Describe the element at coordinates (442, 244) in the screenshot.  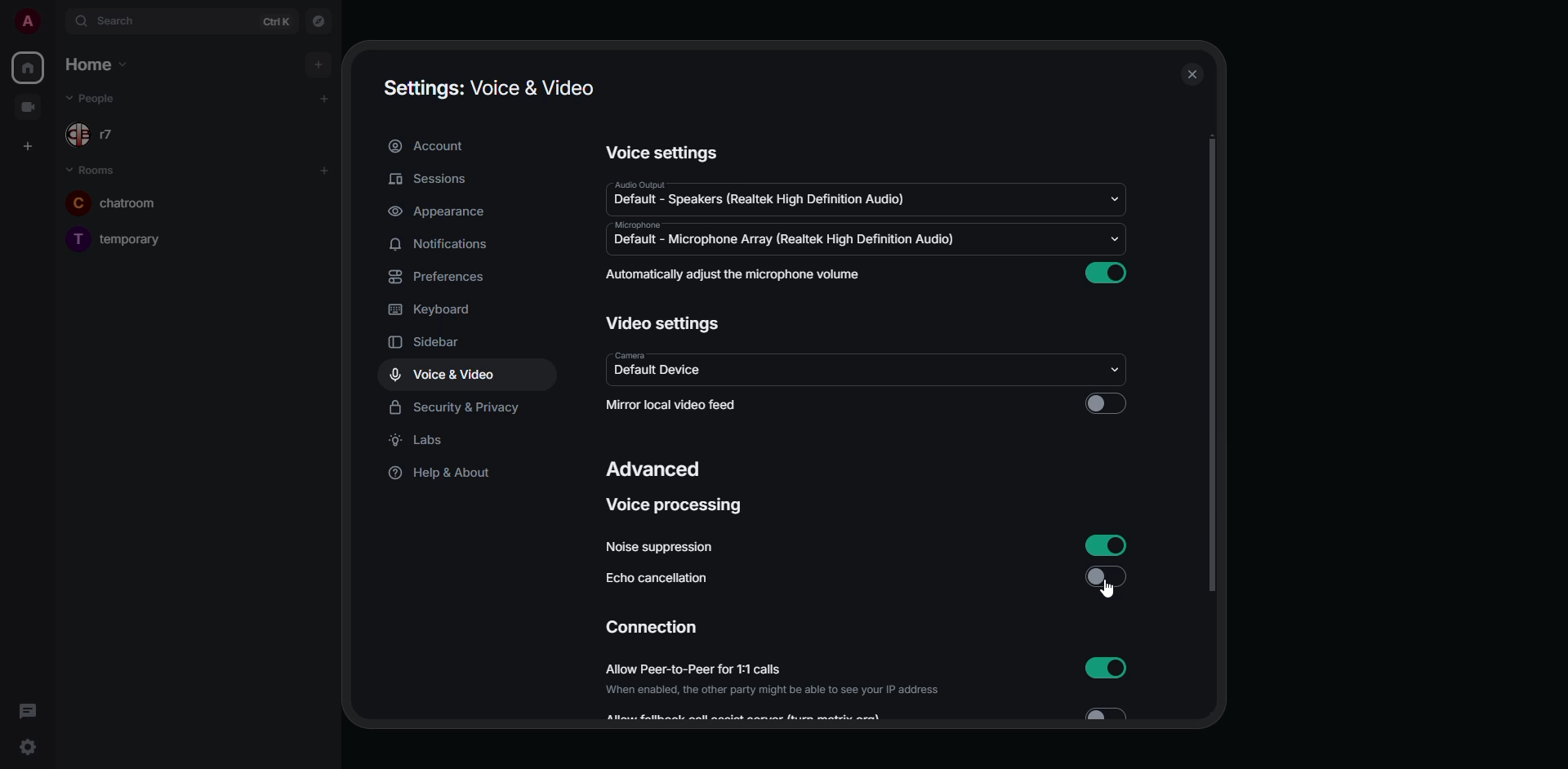
I see `notifications` at that location.